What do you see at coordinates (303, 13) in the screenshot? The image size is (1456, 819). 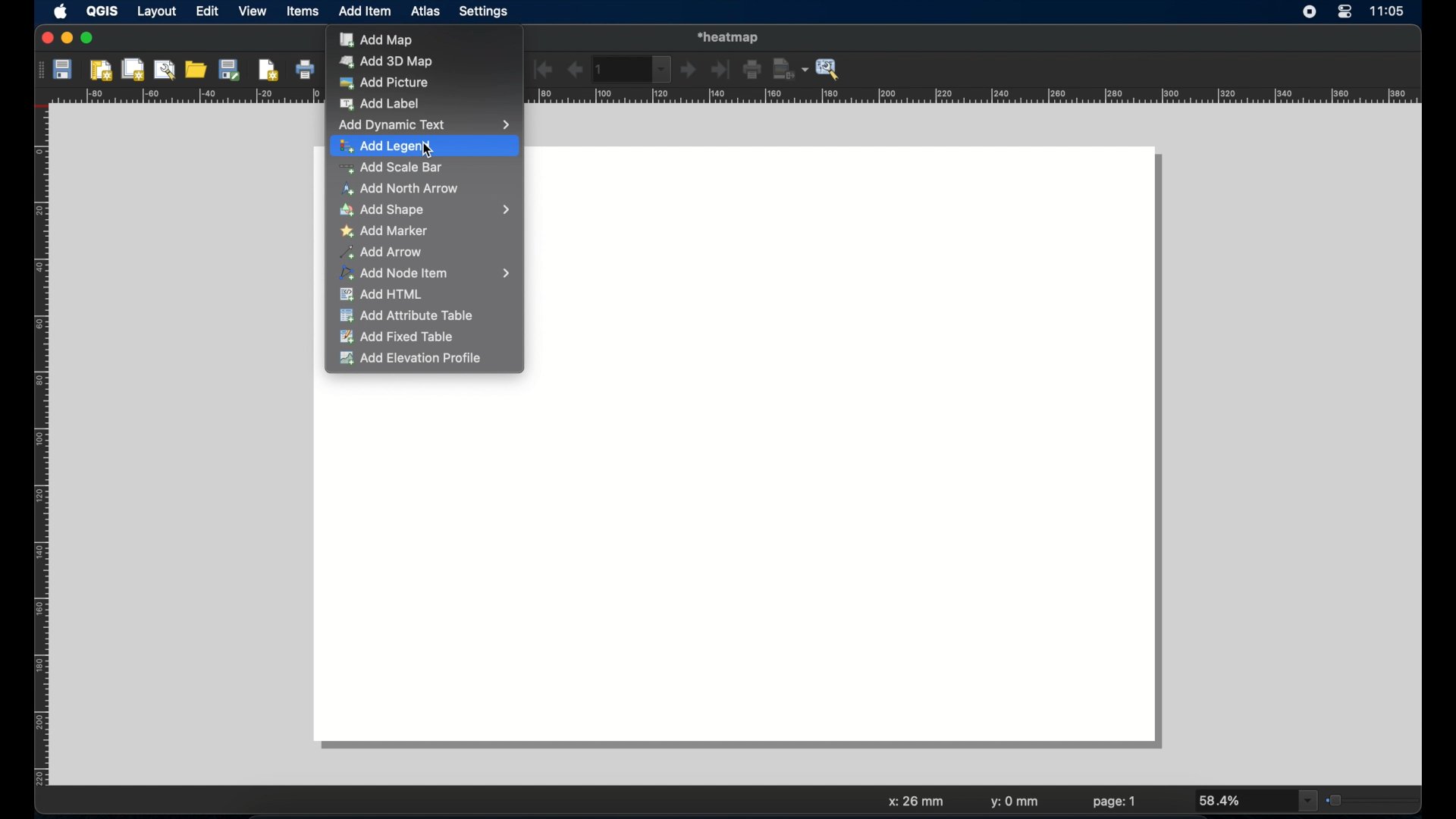 I see `items` at bounding box center [303, 13].